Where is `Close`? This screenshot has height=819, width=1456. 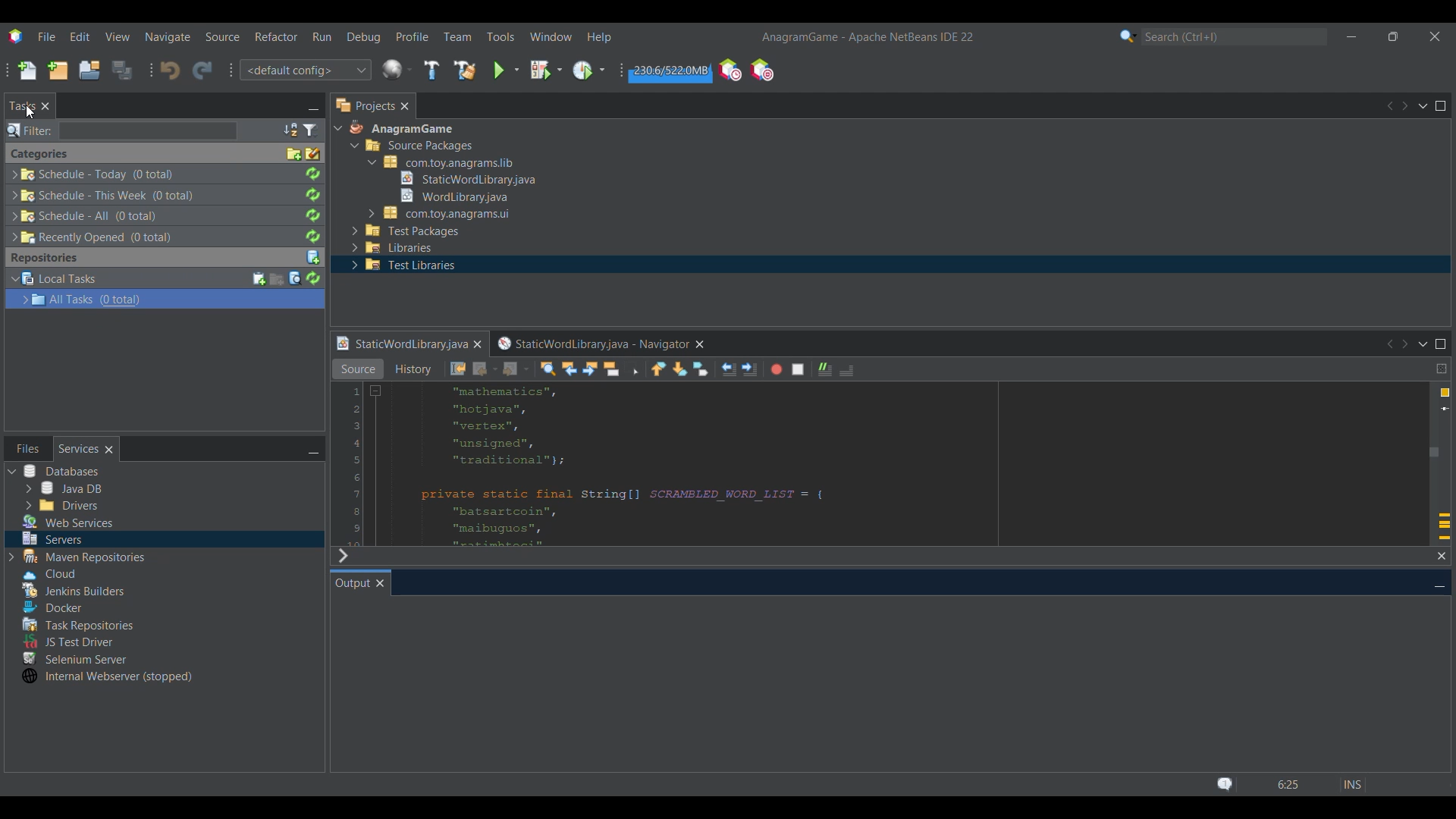 Close is located at coordinates (45, 105).